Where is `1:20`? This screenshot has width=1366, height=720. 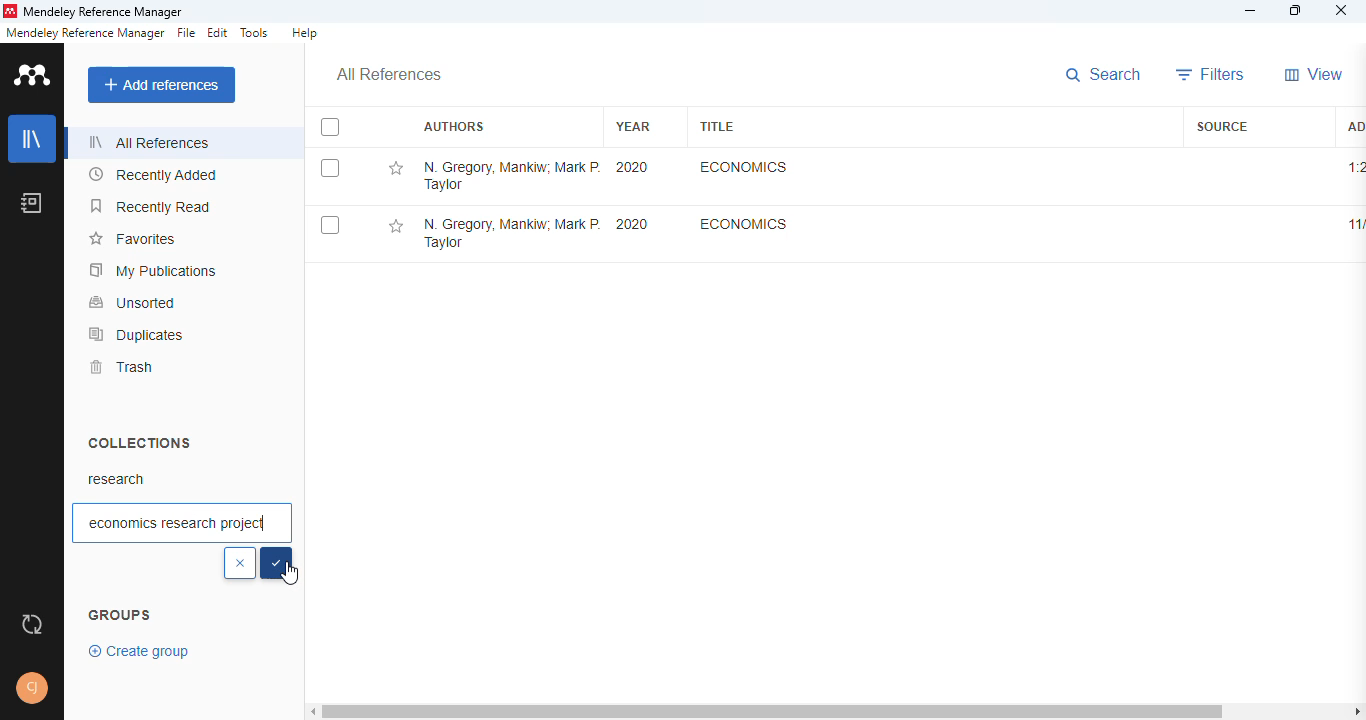 1:20 is located at coordinates (1355, 167).